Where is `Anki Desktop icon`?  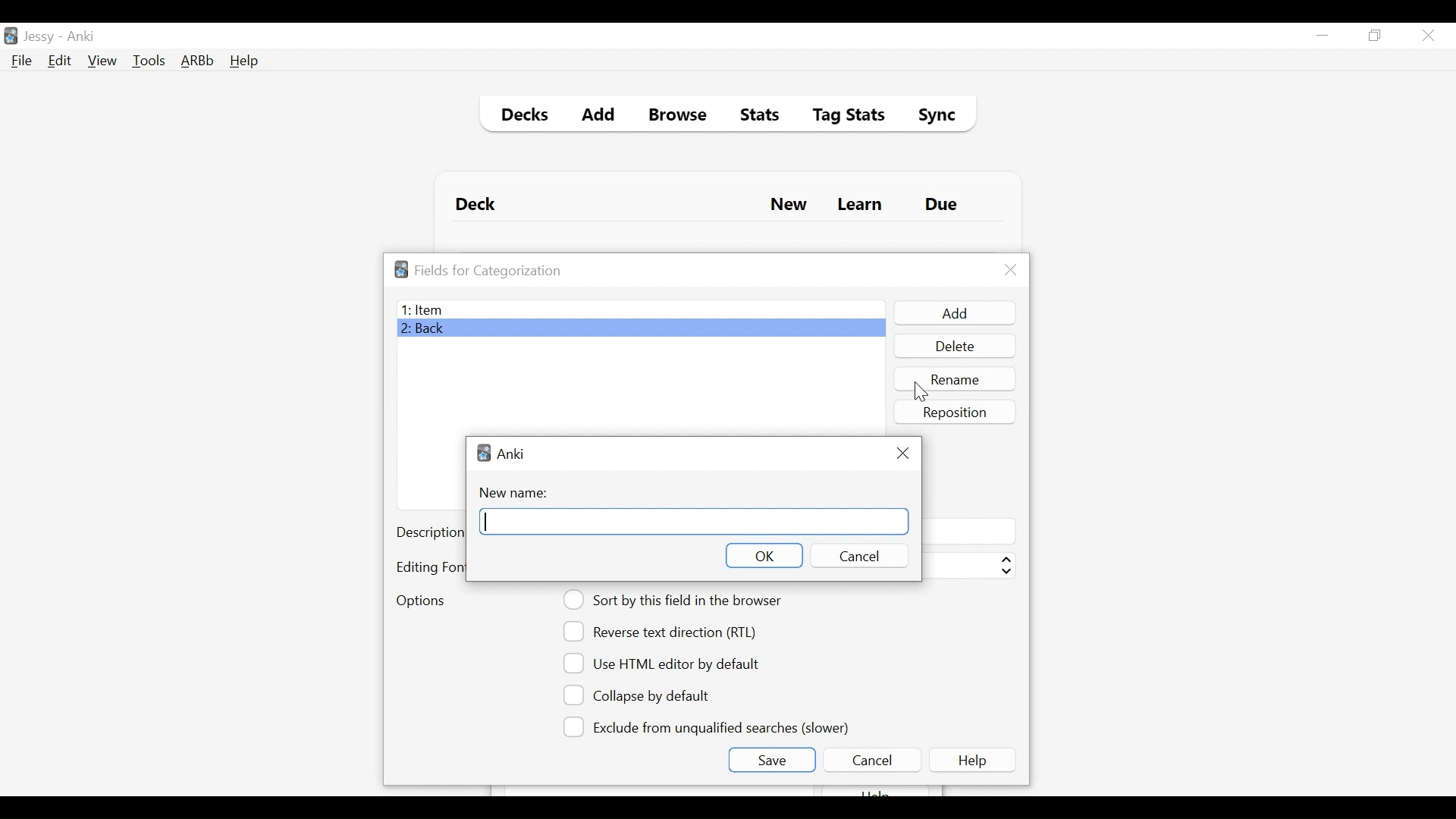 Anki Desktop icon is located at coordinates (11, 36).